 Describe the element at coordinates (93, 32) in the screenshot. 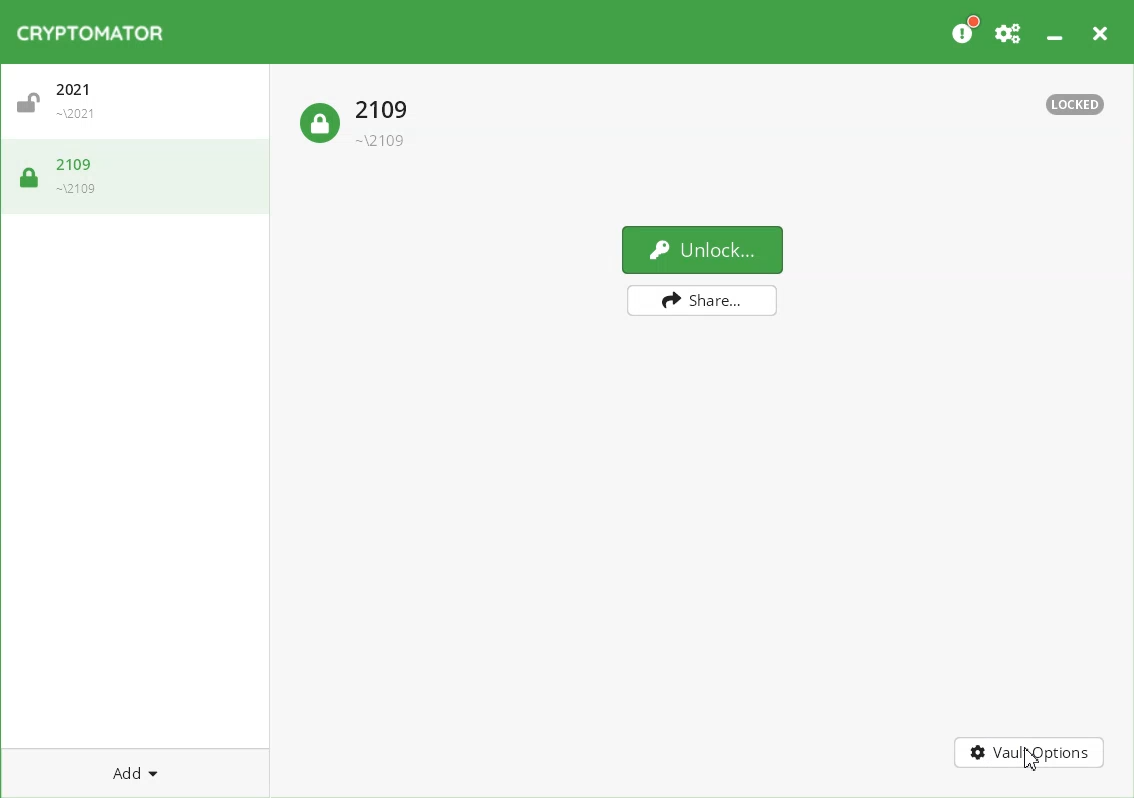

I see `Logo` at that location.